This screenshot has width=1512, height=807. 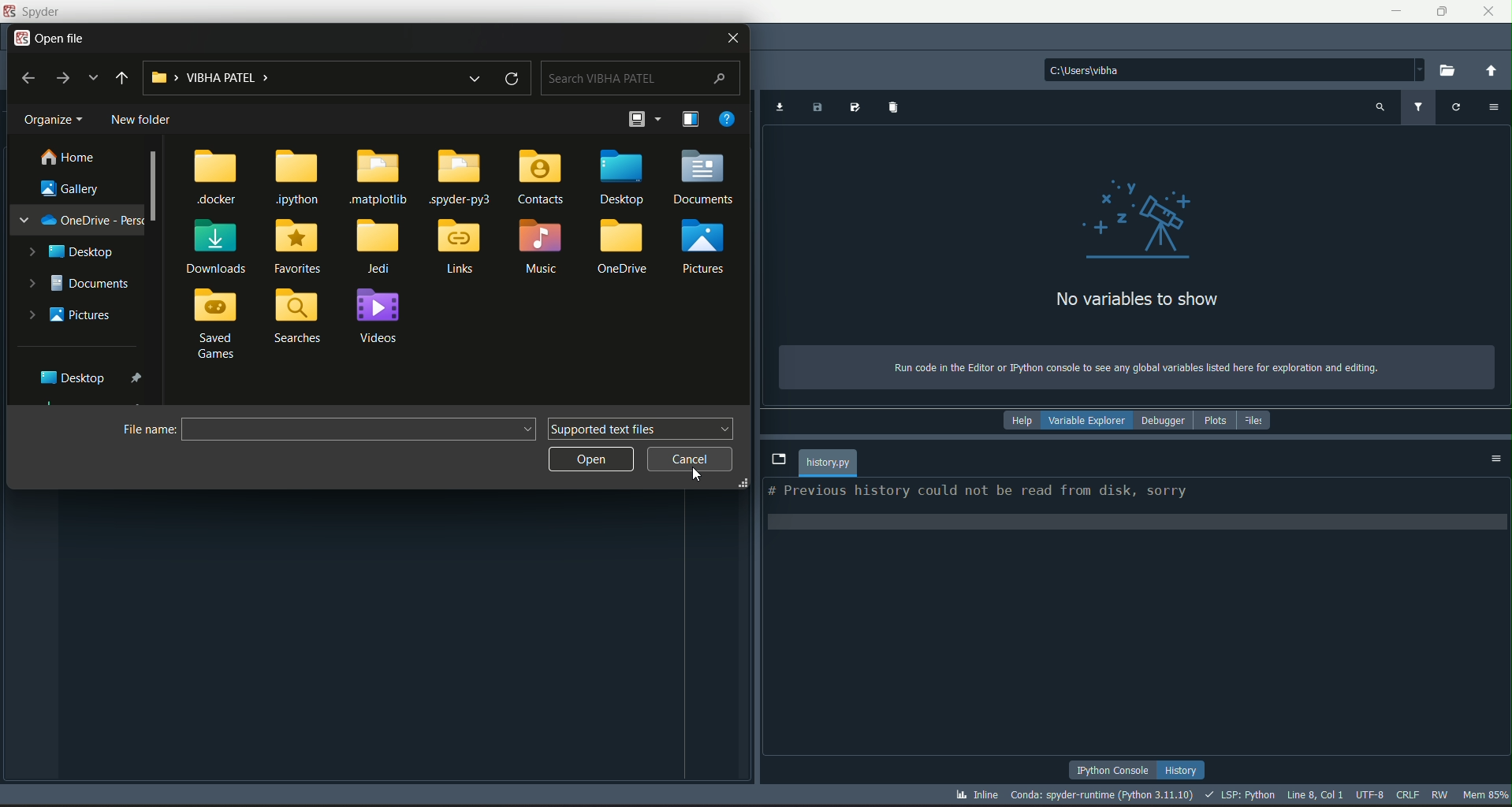 I want to click on refresh variable, so click(x=1456, y=109).